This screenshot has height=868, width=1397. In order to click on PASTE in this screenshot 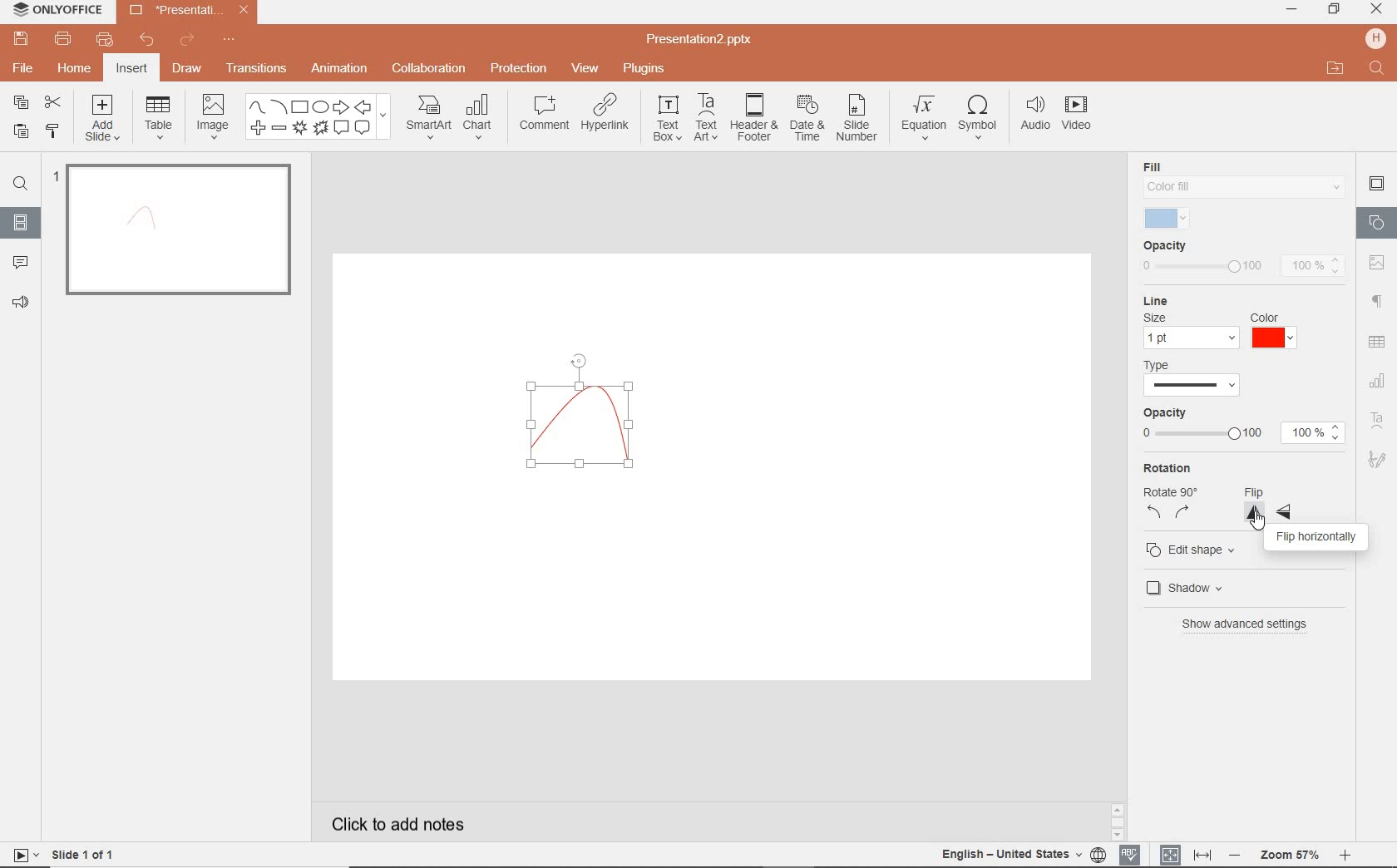, I will do `click(19, 131)`.